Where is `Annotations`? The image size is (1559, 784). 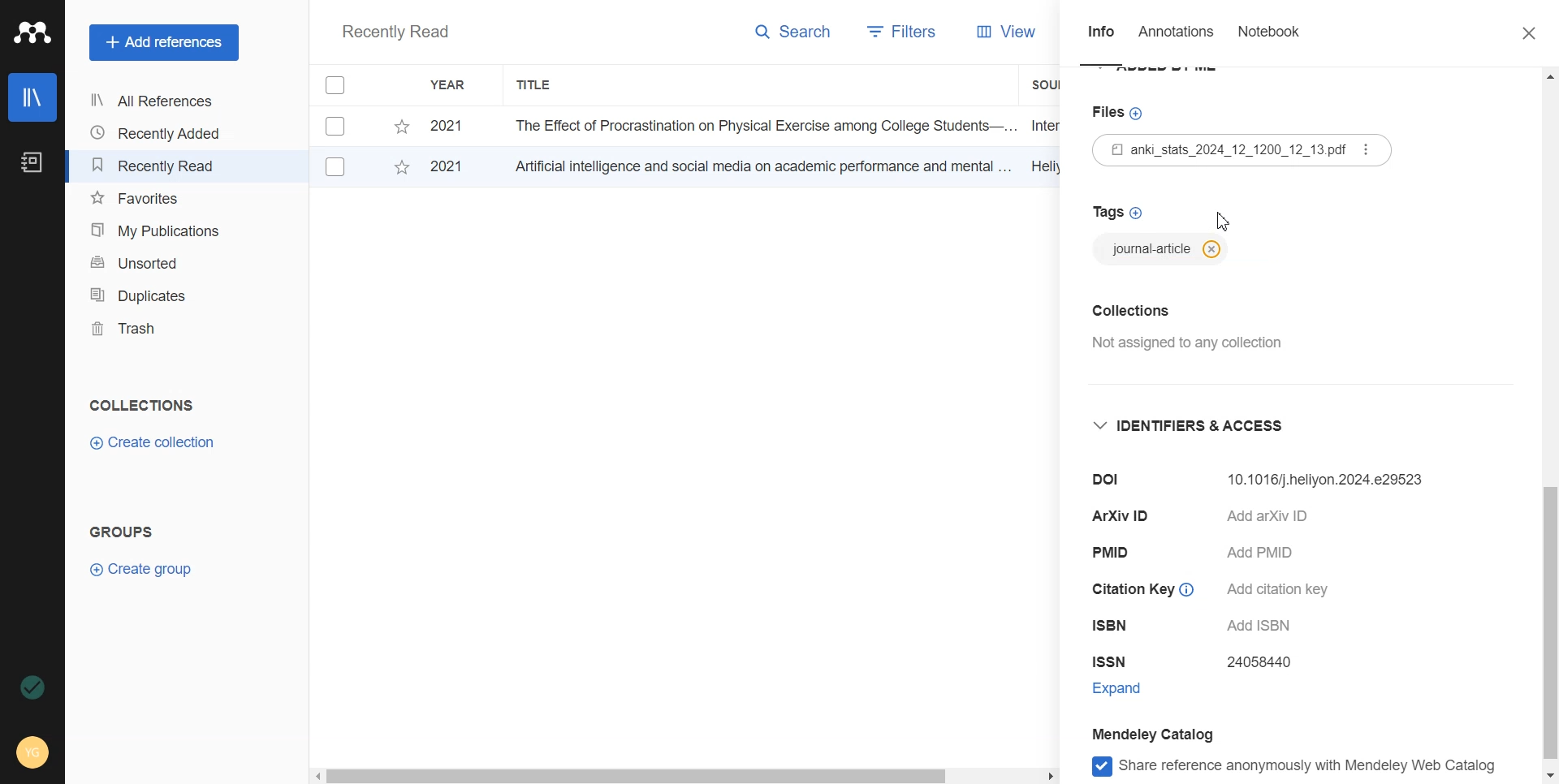 Annotations is located at coordinates (1178, 36).